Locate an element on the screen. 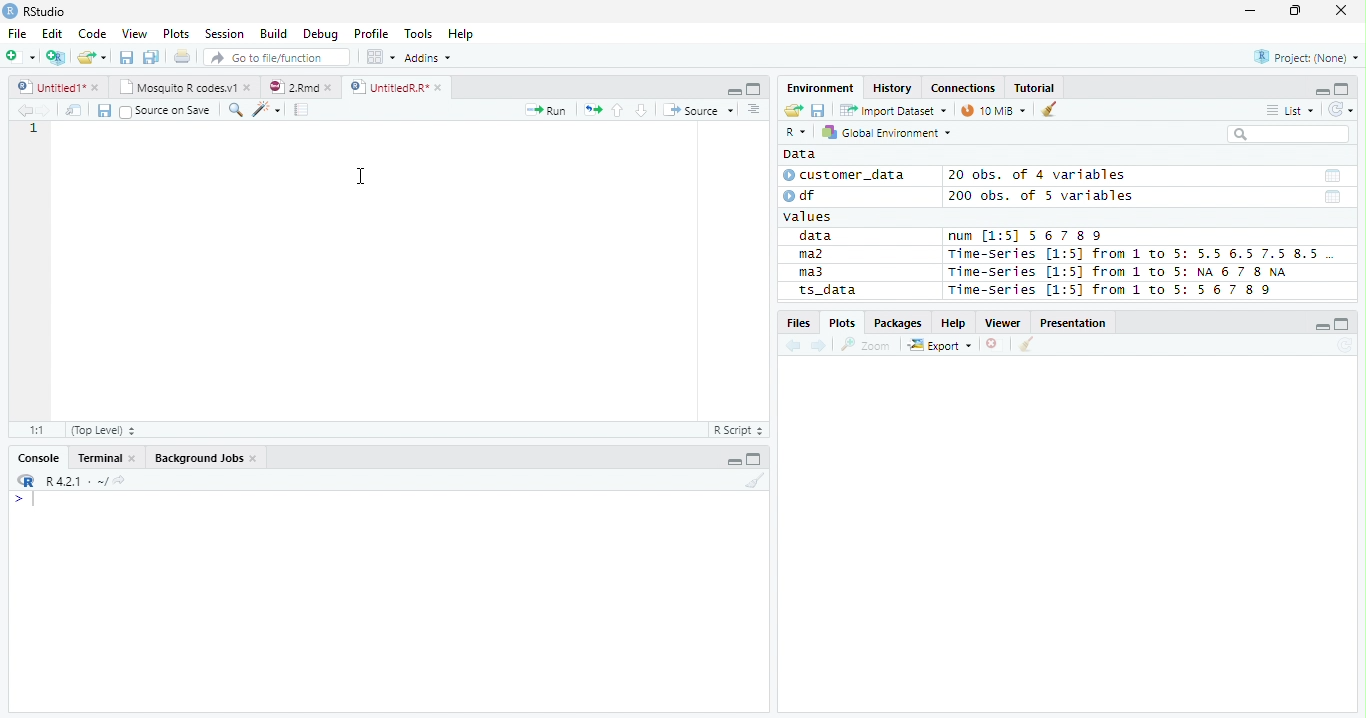  Show document outline is located at coordinates (752, 109).